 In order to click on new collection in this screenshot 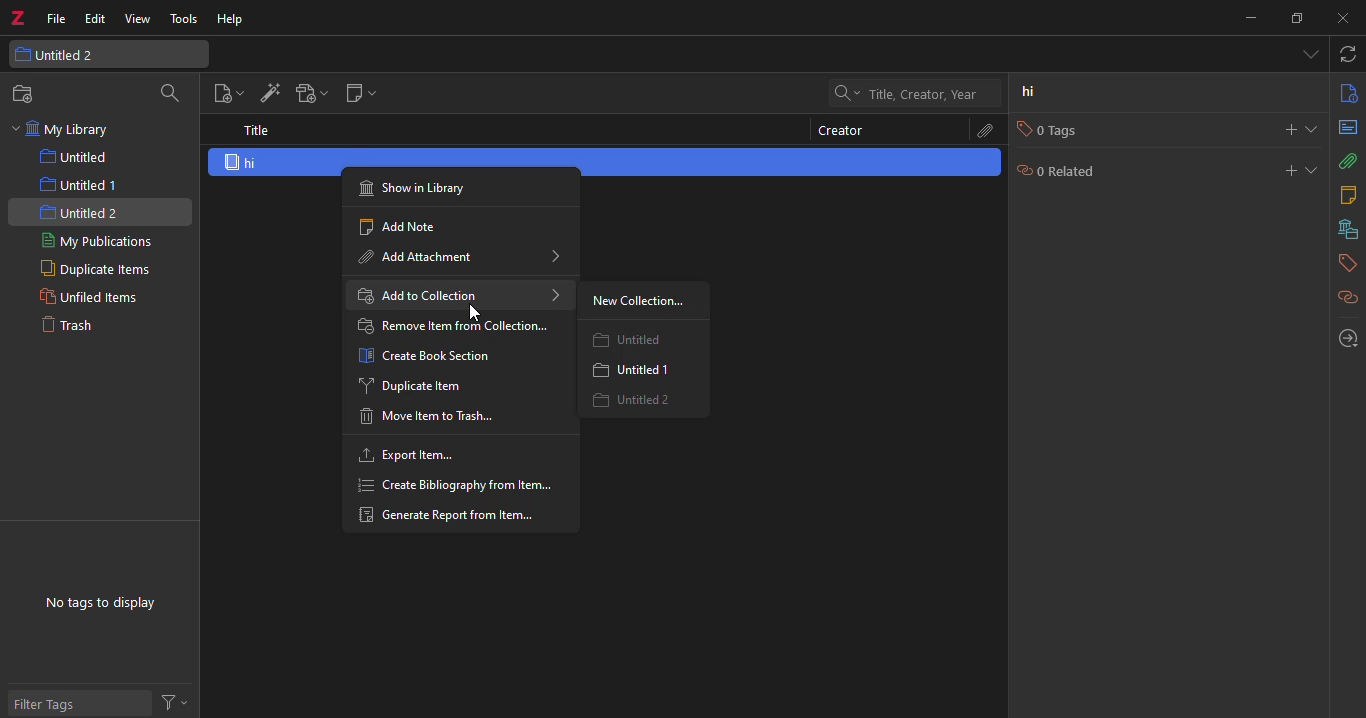, I will do `click(25, 94)`.